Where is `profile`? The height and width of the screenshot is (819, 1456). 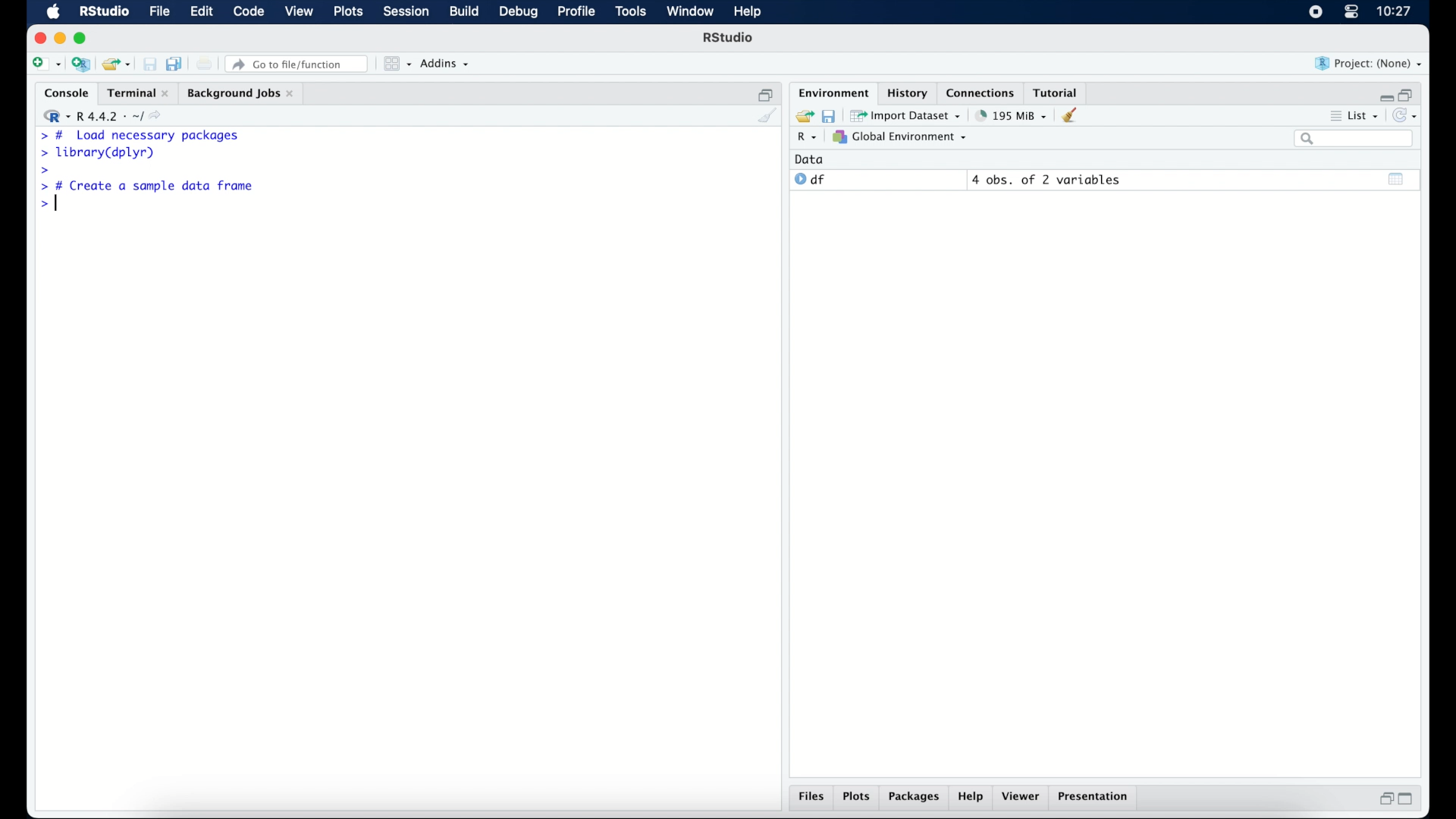 profile is located at coordinates (576, 12).